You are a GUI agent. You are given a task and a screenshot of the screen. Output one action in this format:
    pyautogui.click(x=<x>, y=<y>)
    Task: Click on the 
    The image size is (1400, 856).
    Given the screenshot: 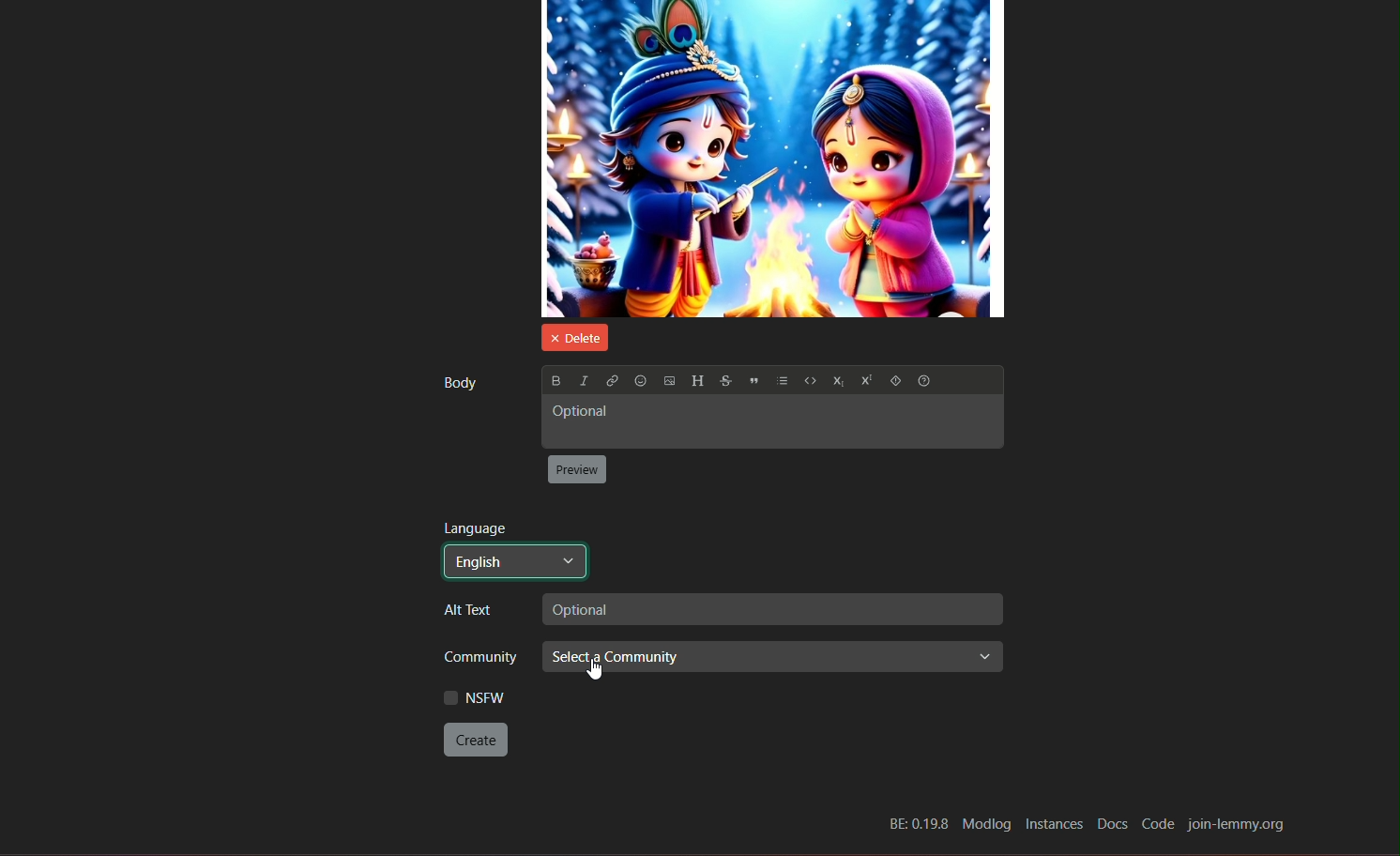 What is the action you would take?
    pyautogui.click(x=836, y=383)
    